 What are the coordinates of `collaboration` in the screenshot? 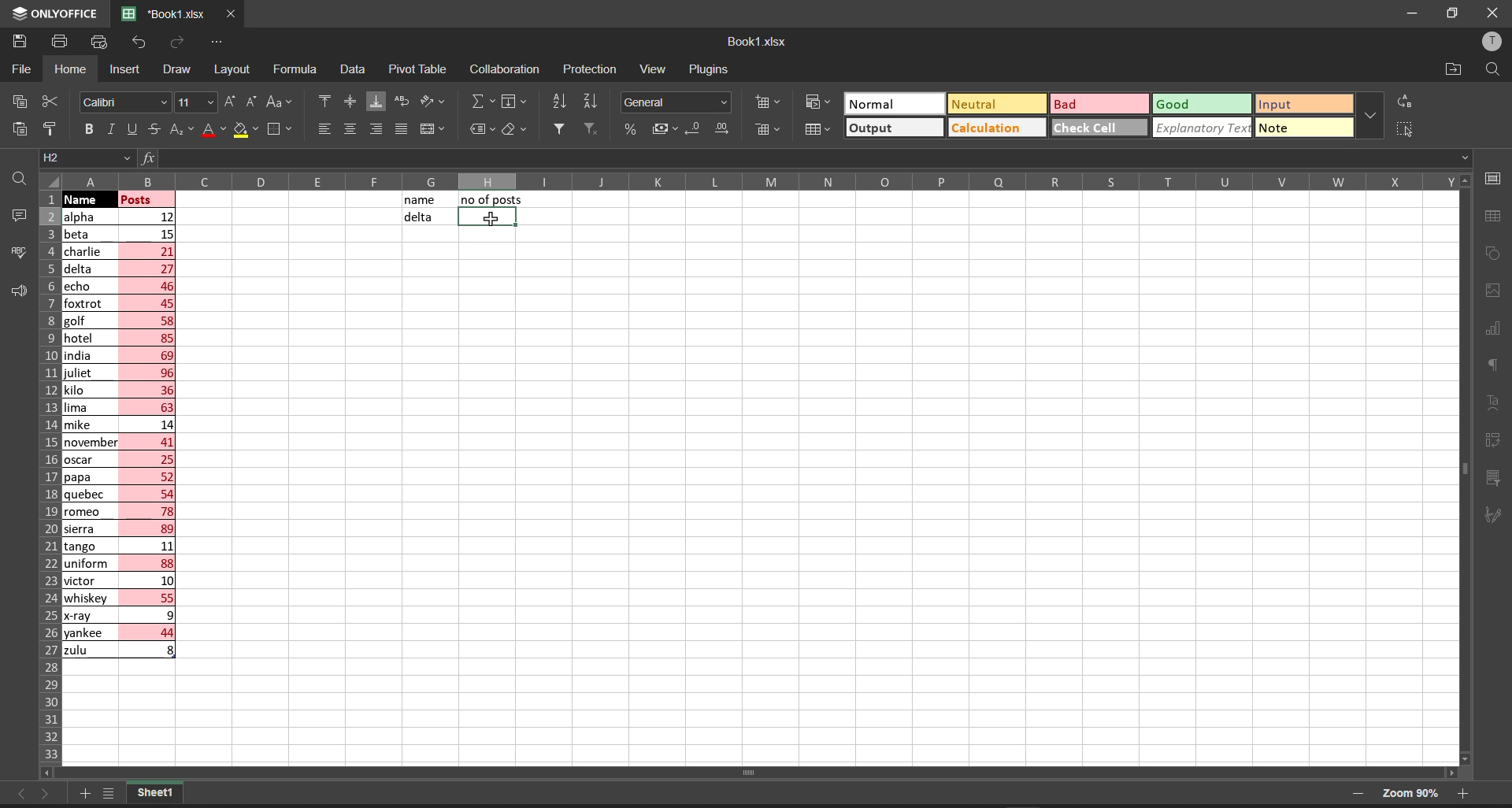 It's located at (507, 69).